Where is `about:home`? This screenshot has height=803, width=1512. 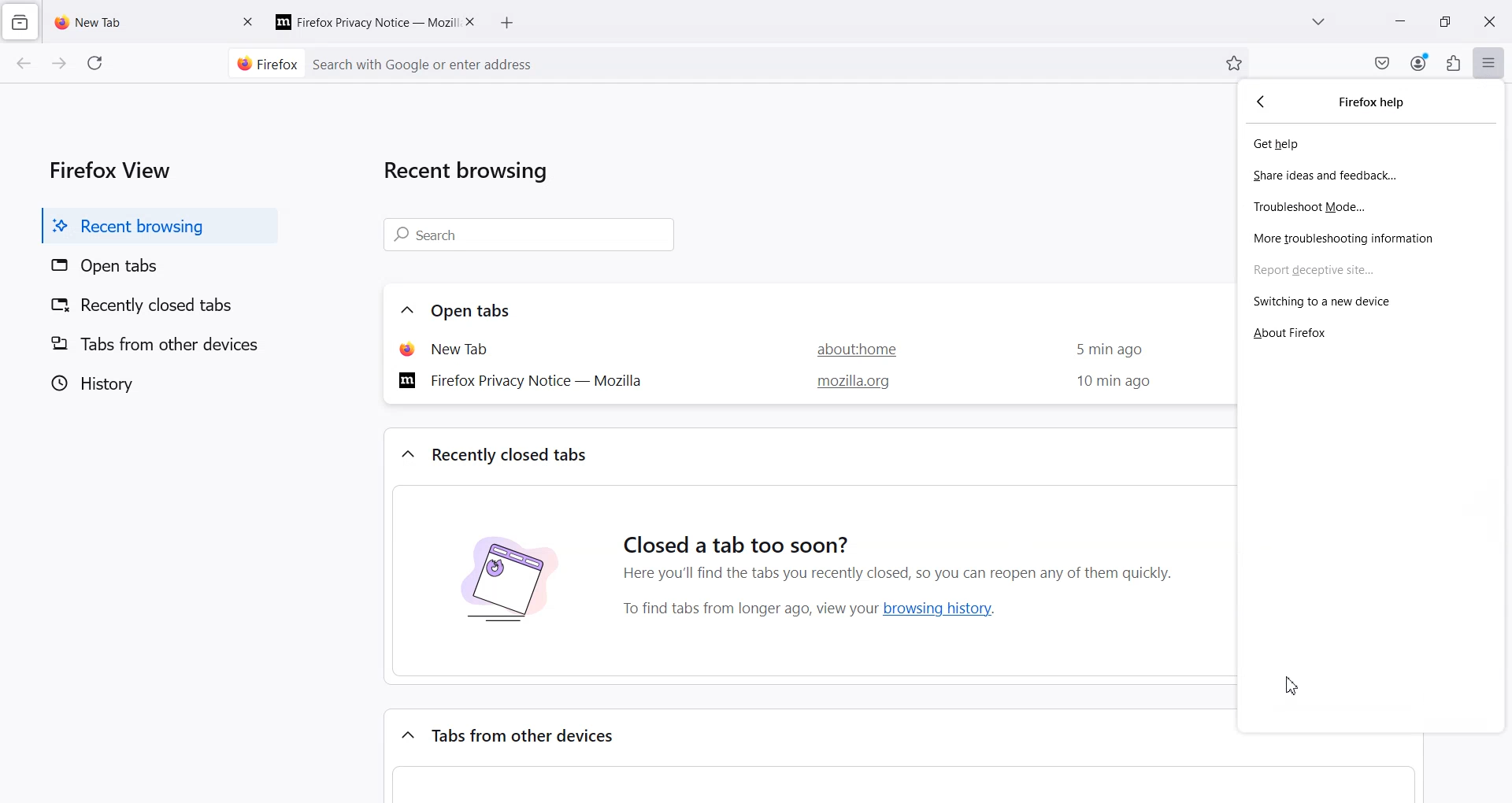 about:home is located at coordinates (848, 348).